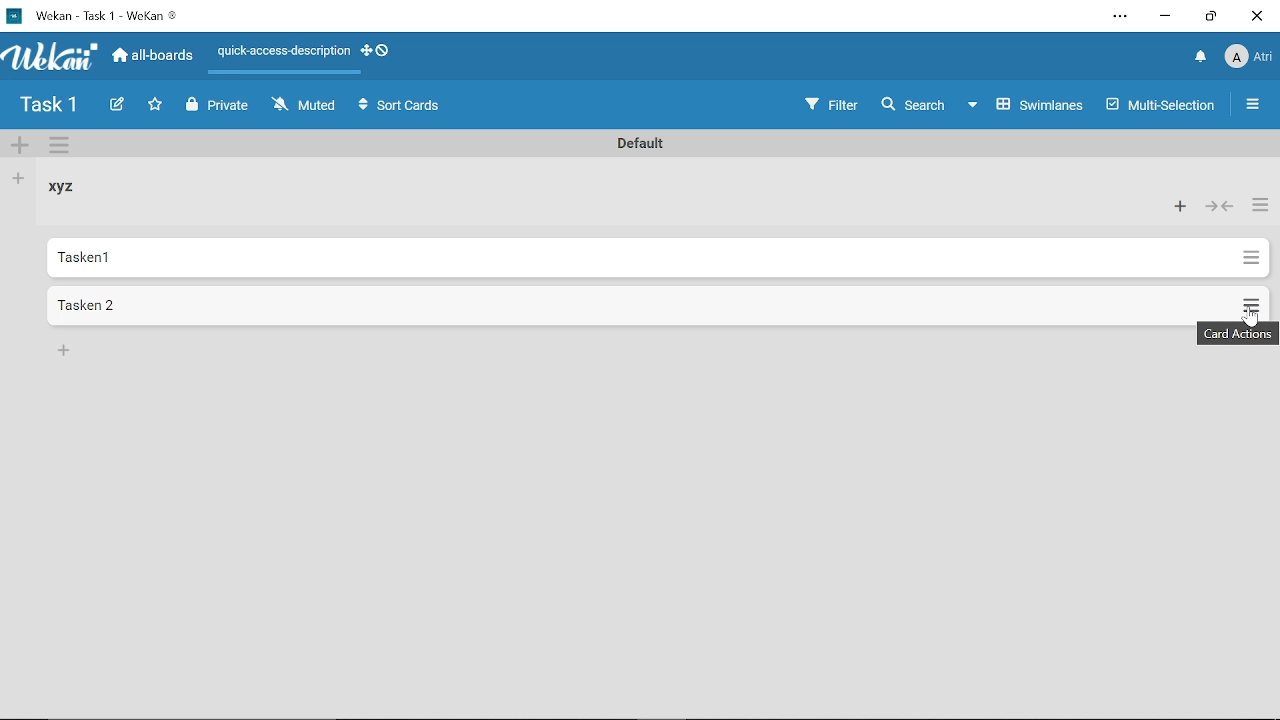  Describe the element at coordinates (1253, 108) in the screenshot. I see `Open/close sidebar` at that location.